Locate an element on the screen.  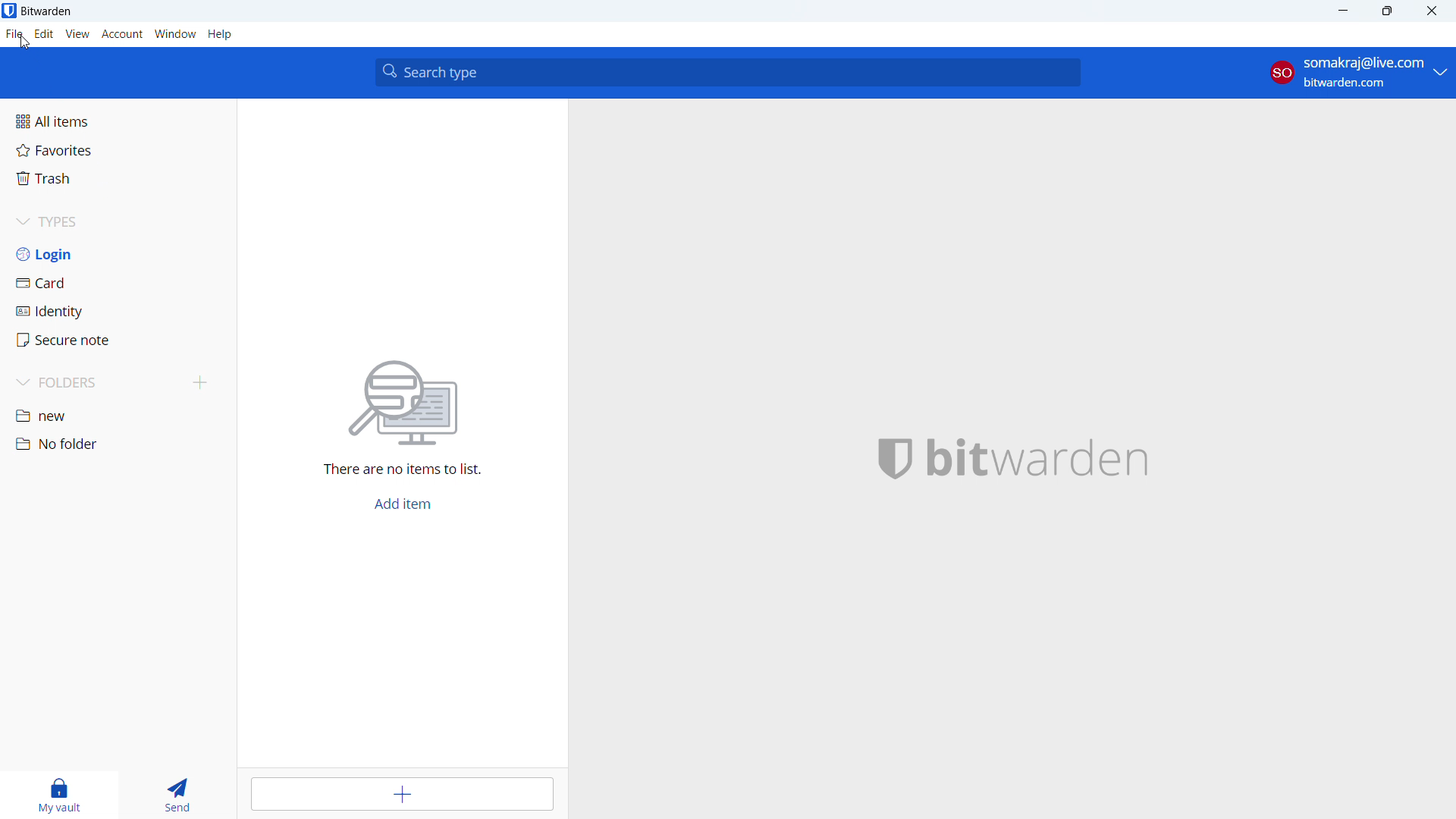
Bitwarden logo is located at coordinates (885, 460).